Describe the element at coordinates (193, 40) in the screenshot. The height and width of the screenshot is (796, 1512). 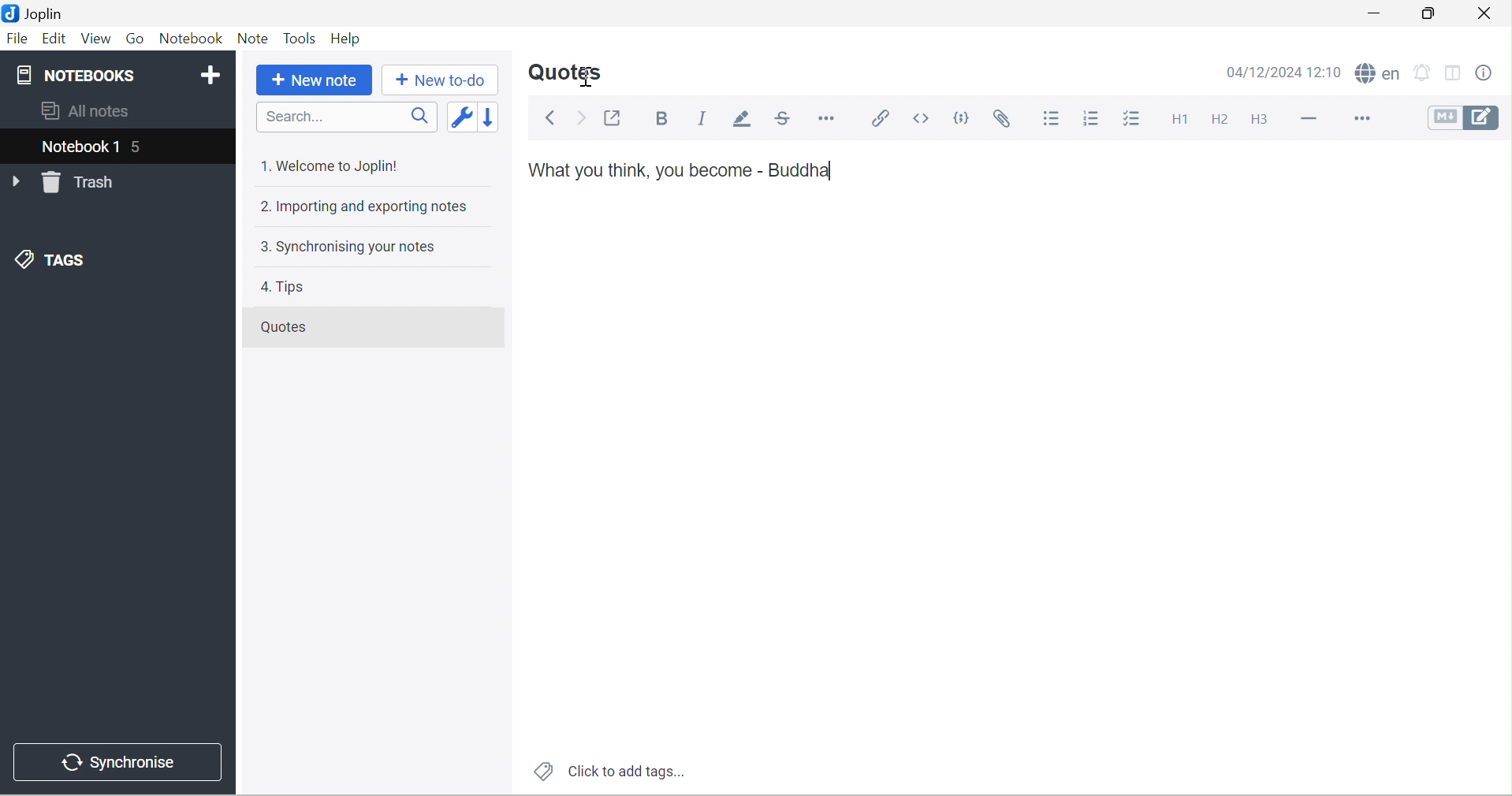
I see `Notebook` at that location.